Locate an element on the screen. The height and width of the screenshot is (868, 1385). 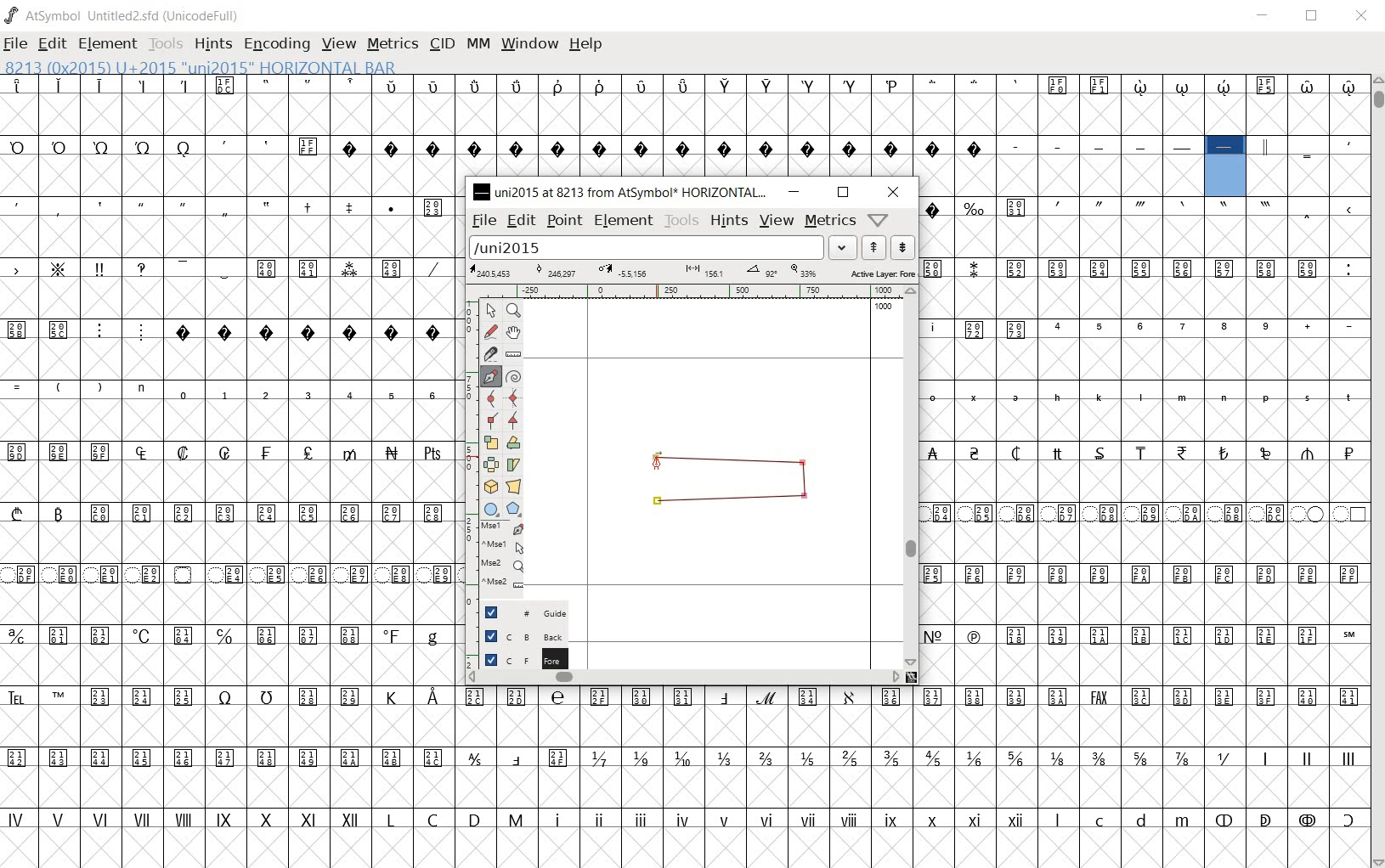
scale the selection is located at coordinates (490, 442).